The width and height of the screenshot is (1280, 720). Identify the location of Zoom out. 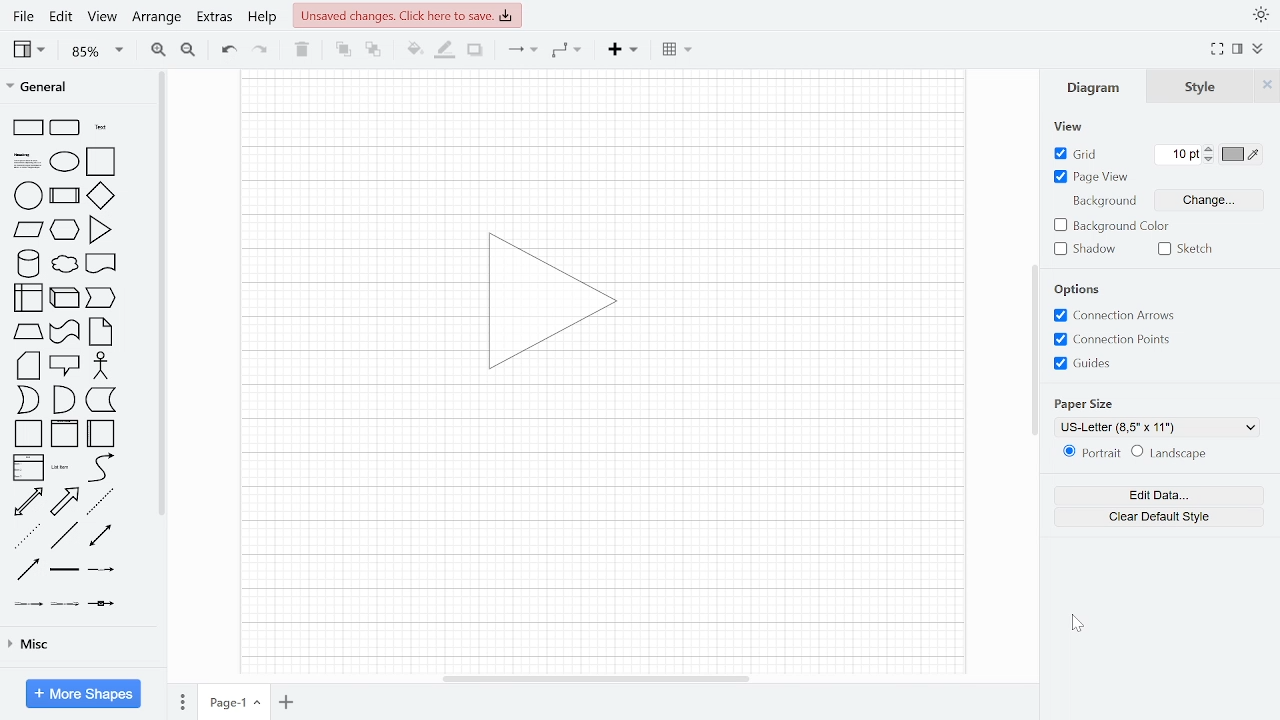
(189, 49).